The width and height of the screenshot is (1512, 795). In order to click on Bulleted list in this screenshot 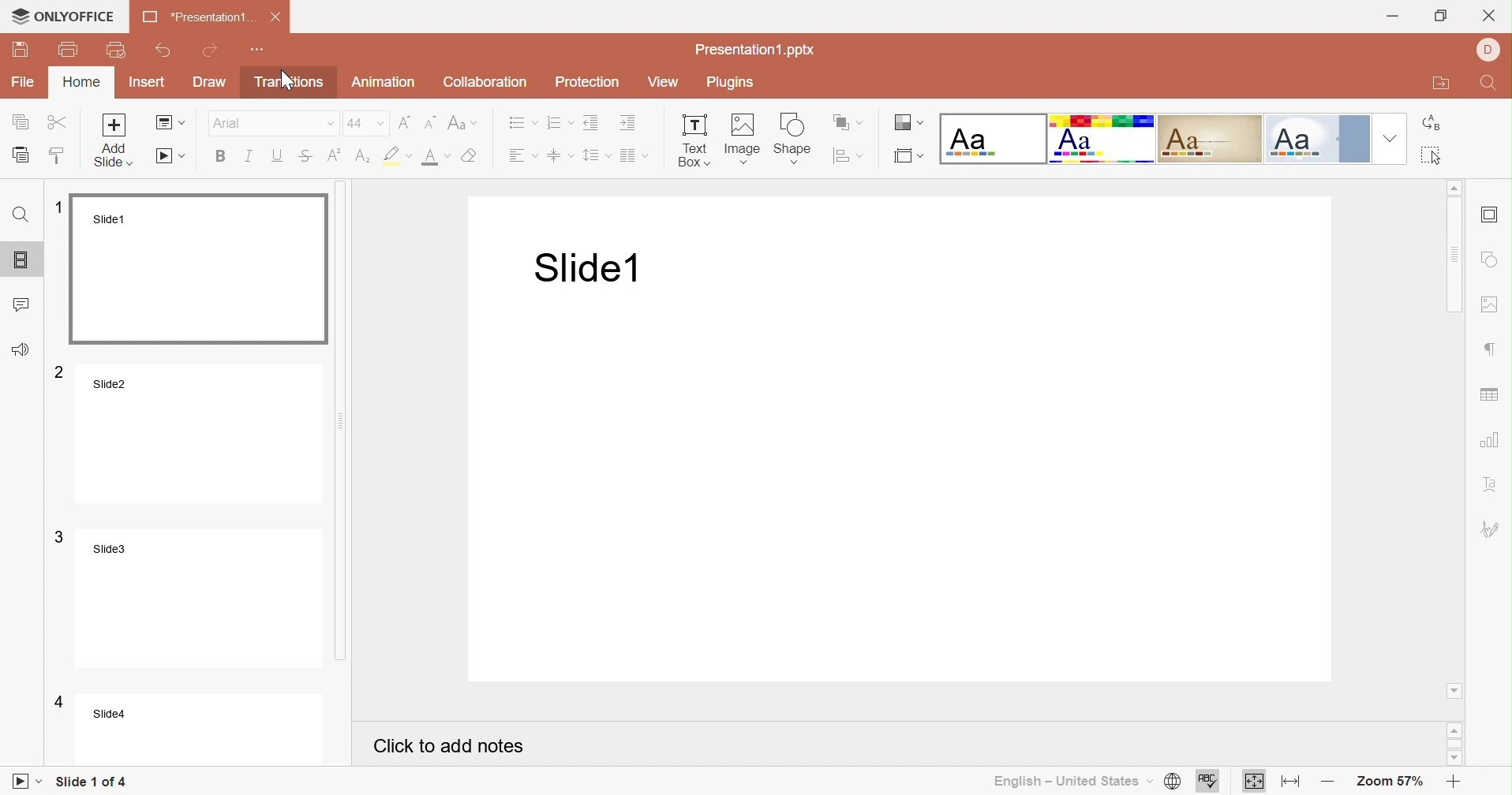, I will do `click(519, 127)`.